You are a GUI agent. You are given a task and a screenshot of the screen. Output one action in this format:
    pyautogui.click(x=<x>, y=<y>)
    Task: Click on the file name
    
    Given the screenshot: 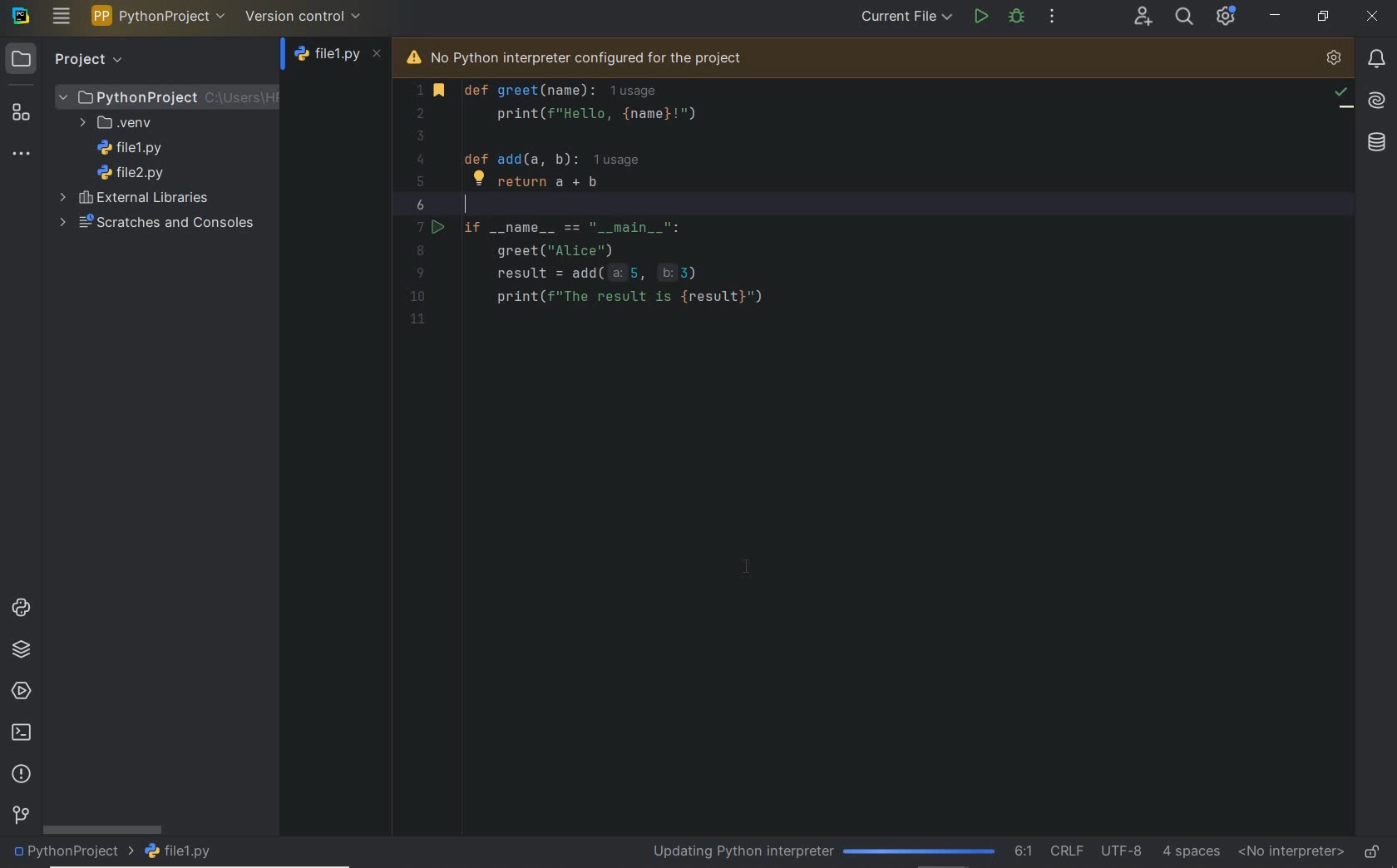 What is the action you would take?
    pyautogui.click(x=339, y=58)
    